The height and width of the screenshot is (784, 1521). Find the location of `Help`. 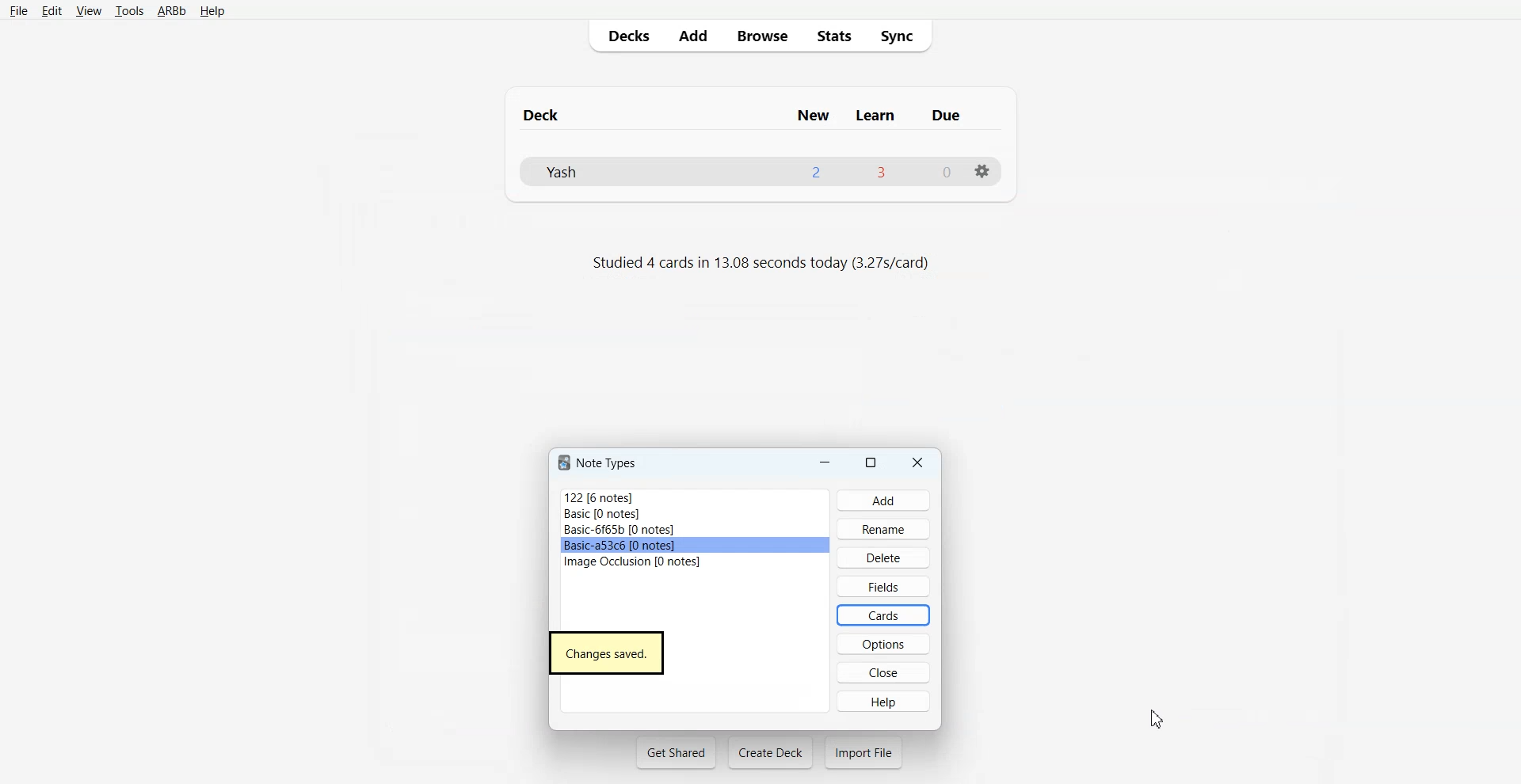

Help is located at coordinates (212, 12).